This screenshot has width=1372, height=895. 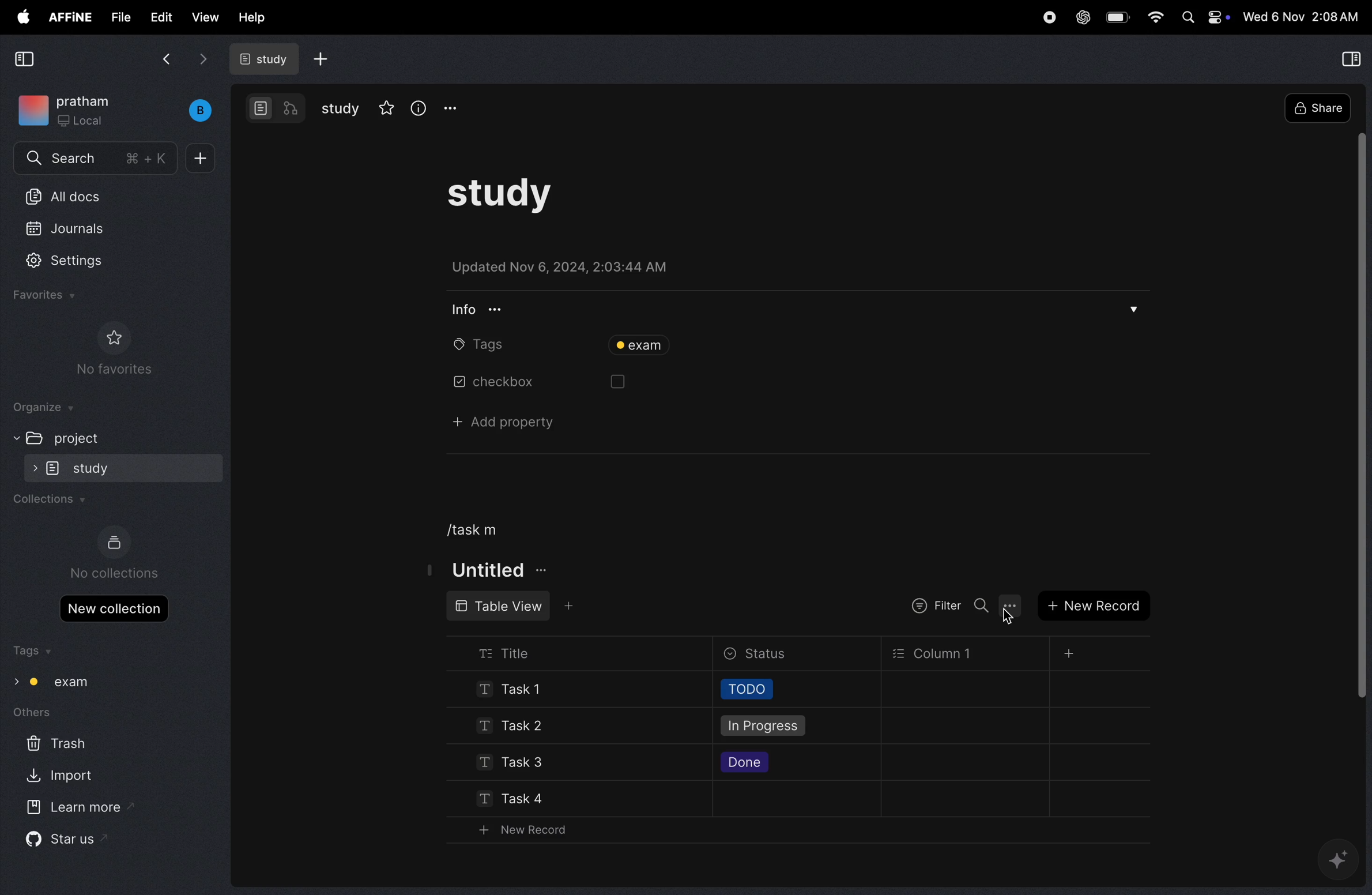 What do you see at coordinates (67, 437) in the screenshot?
I see `project` at bounding box center [67, 437].